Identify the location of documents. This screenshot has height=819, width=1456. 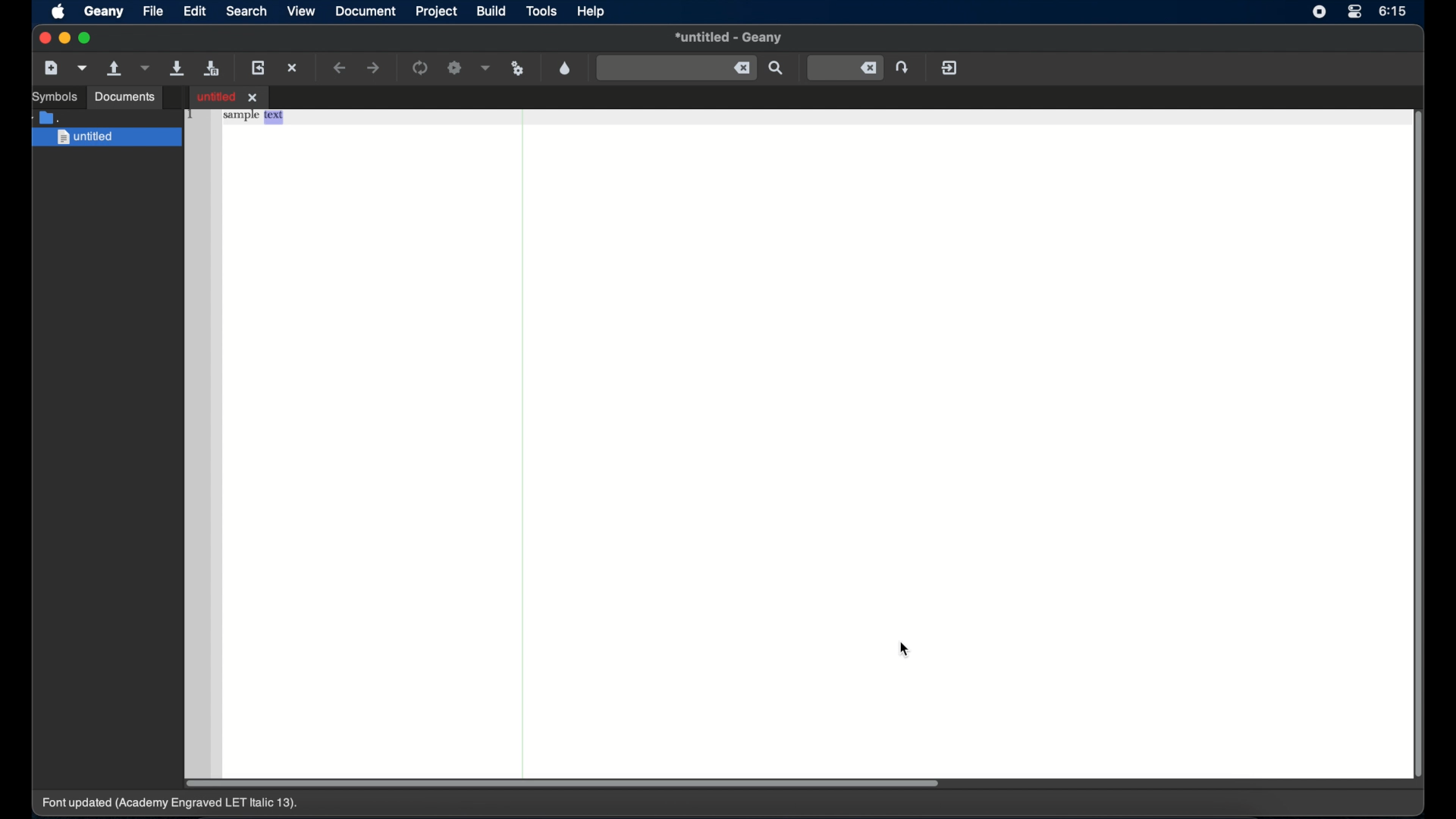
(49, 116).